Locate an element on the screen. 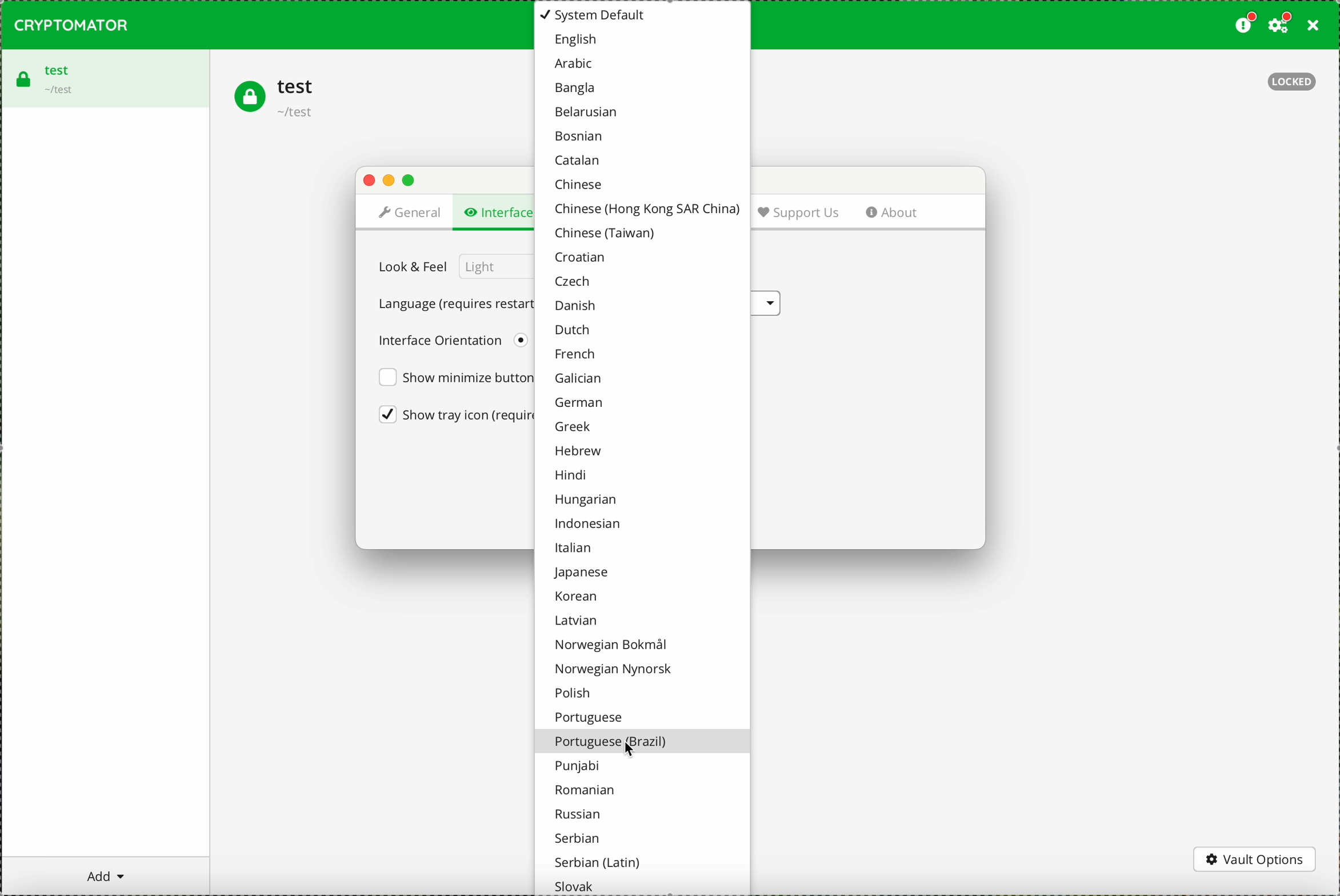 This screenshot has height=896, width=1340. click on settings is located at coordinates (1281, 26).